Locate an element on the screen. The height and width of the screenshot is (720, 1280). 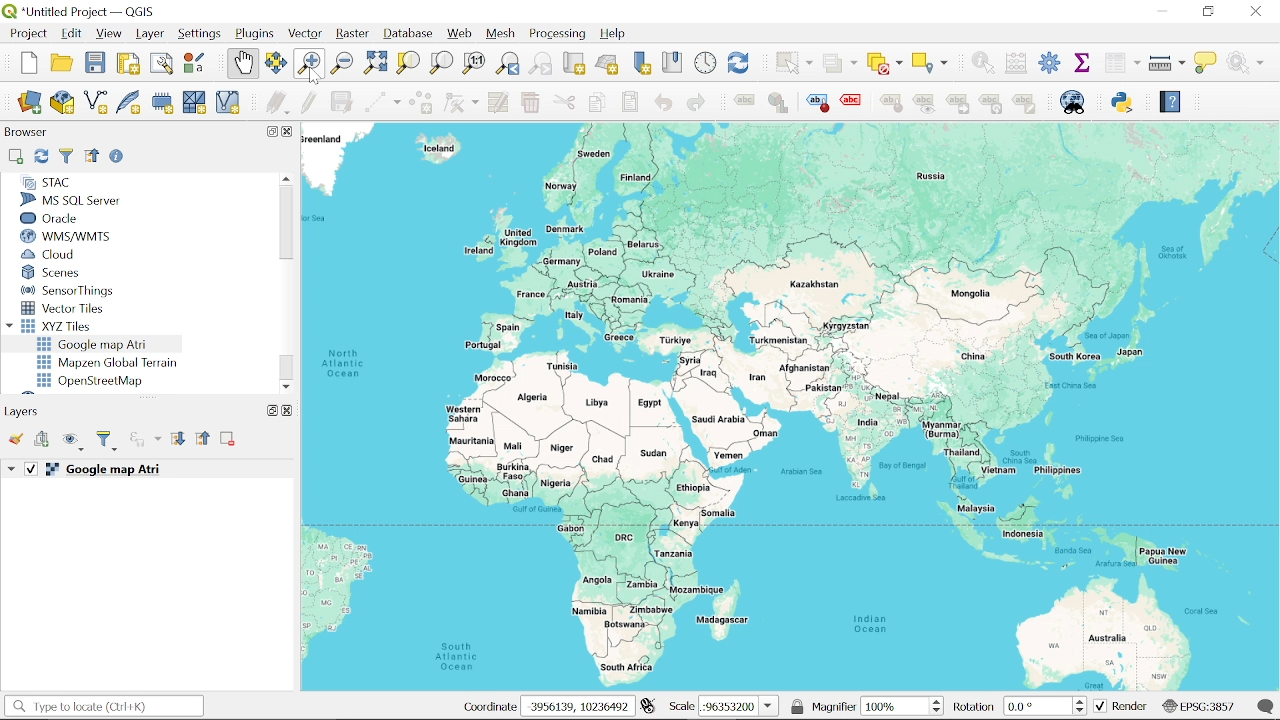
rotation is located at coordinates (975, 708).